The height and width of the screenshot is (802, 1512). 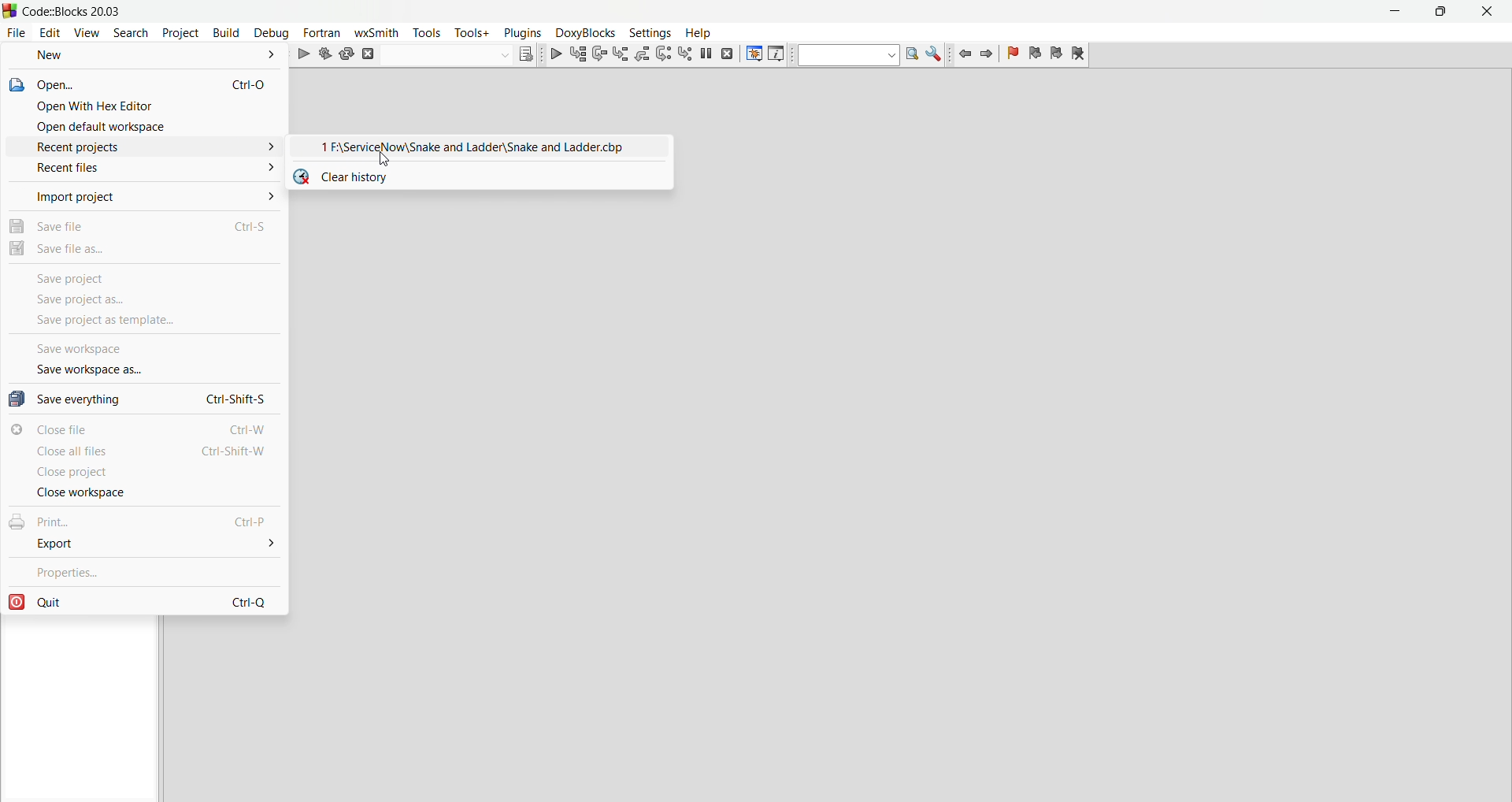 I want to click on open, so click(x=145, y=83).